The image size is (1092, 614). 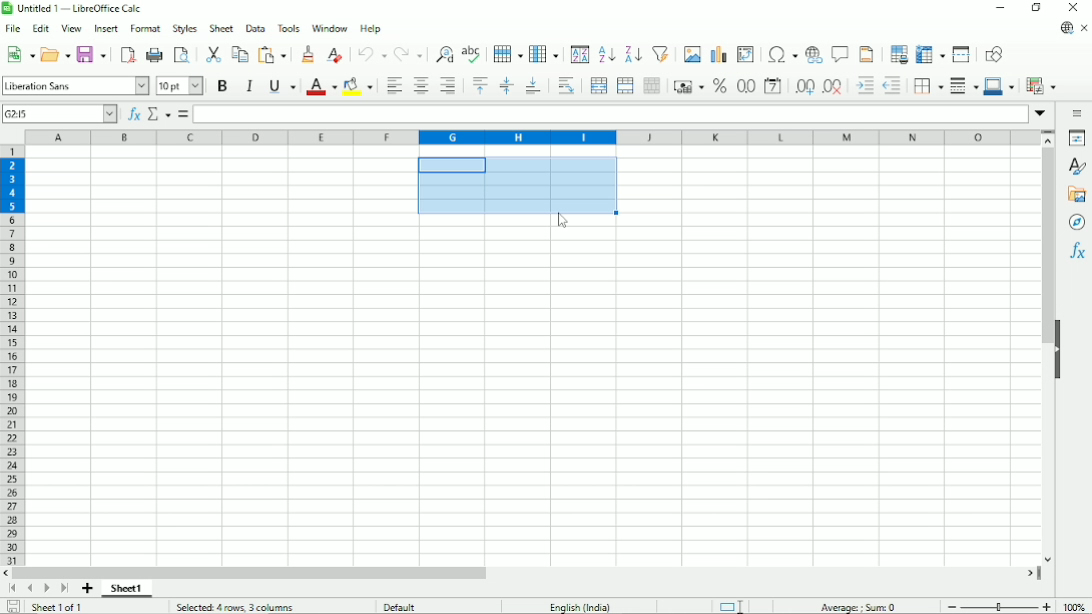 I want to click on Column, so click(x=545, y=53).